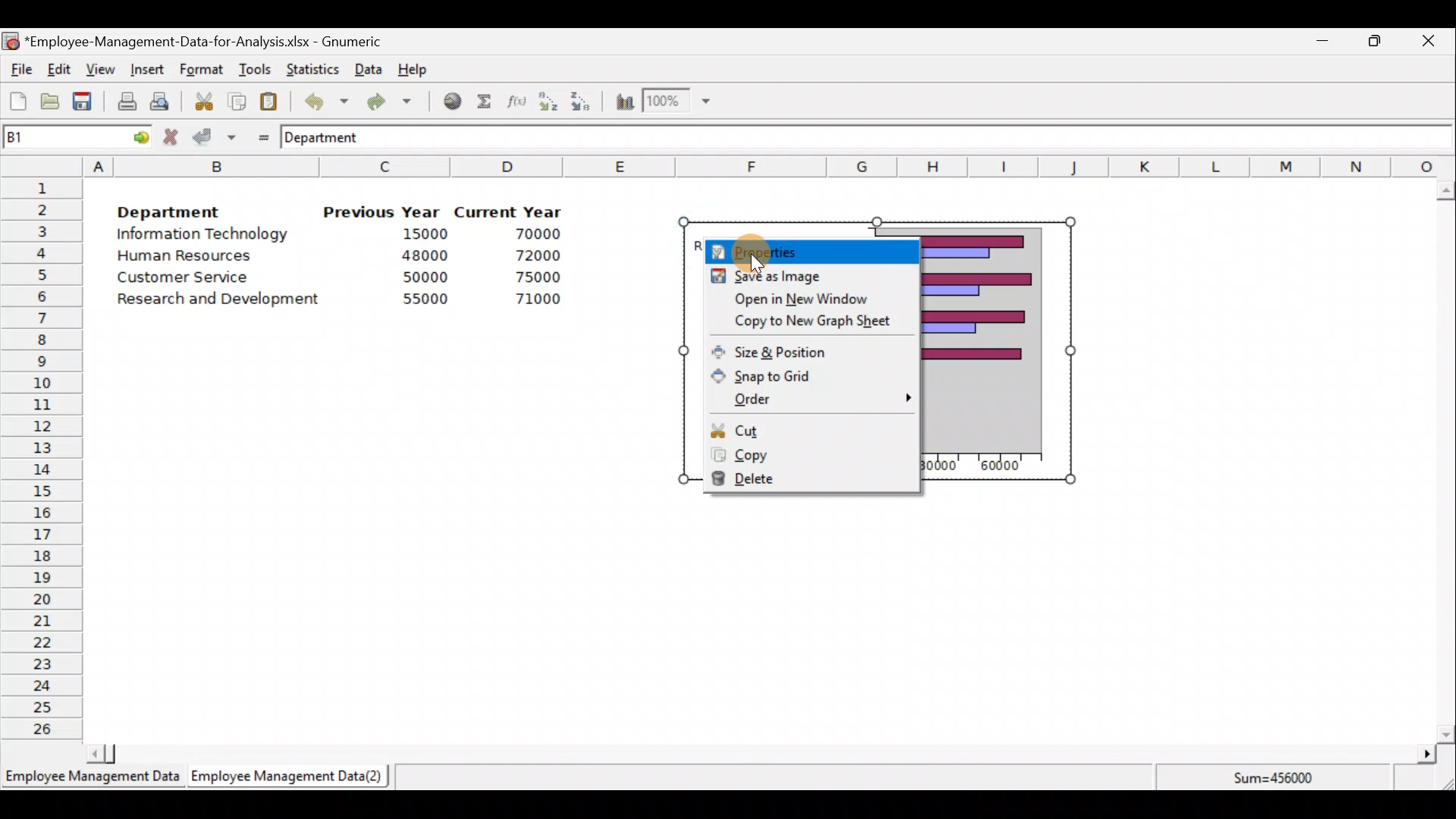 The height and width of the screenshot is (819, 1456). I want to click on Current Year, so click(510, 210).